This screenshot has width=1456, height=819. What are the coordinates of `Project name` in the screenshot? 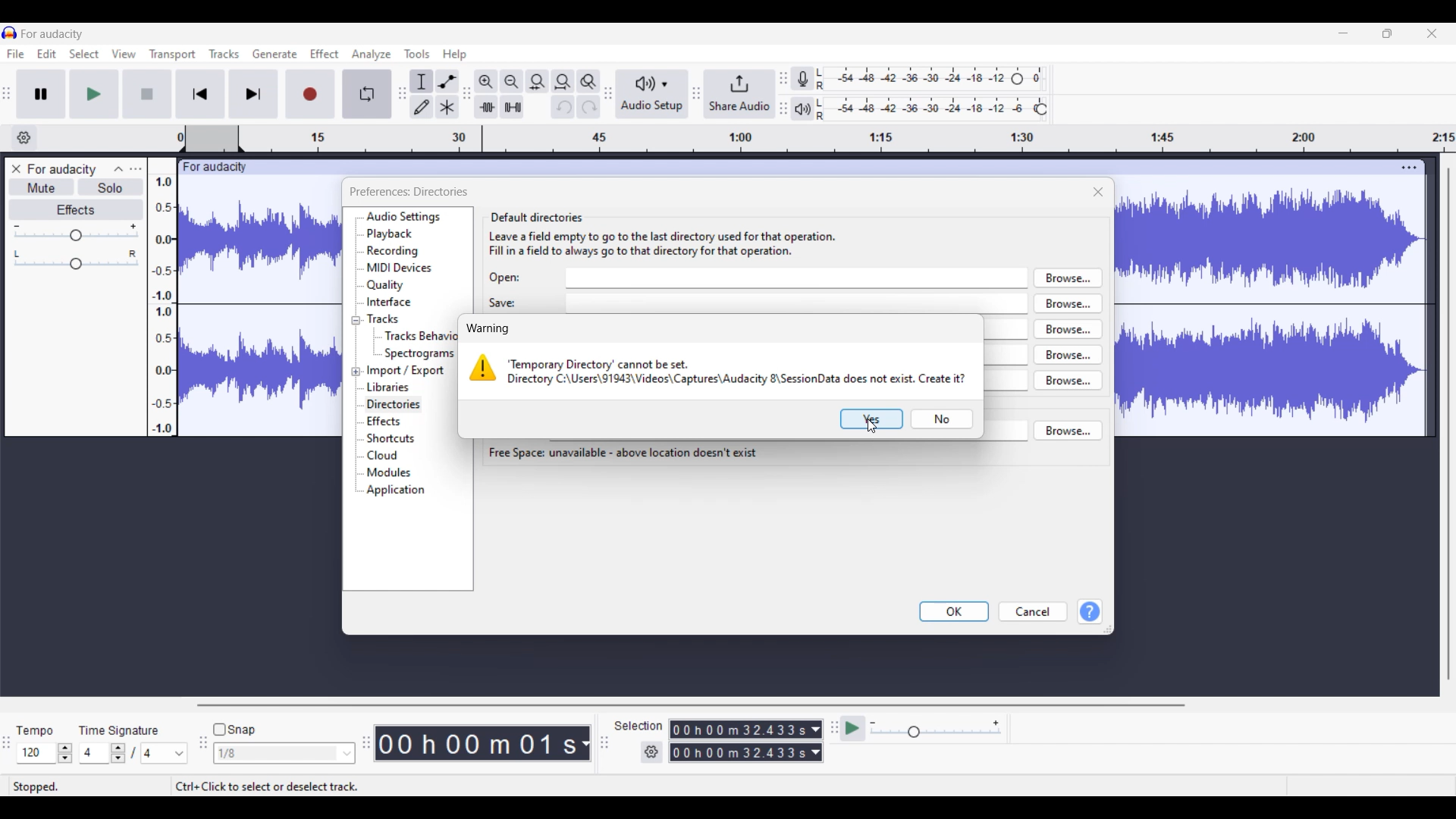 It's located at (217, 168).